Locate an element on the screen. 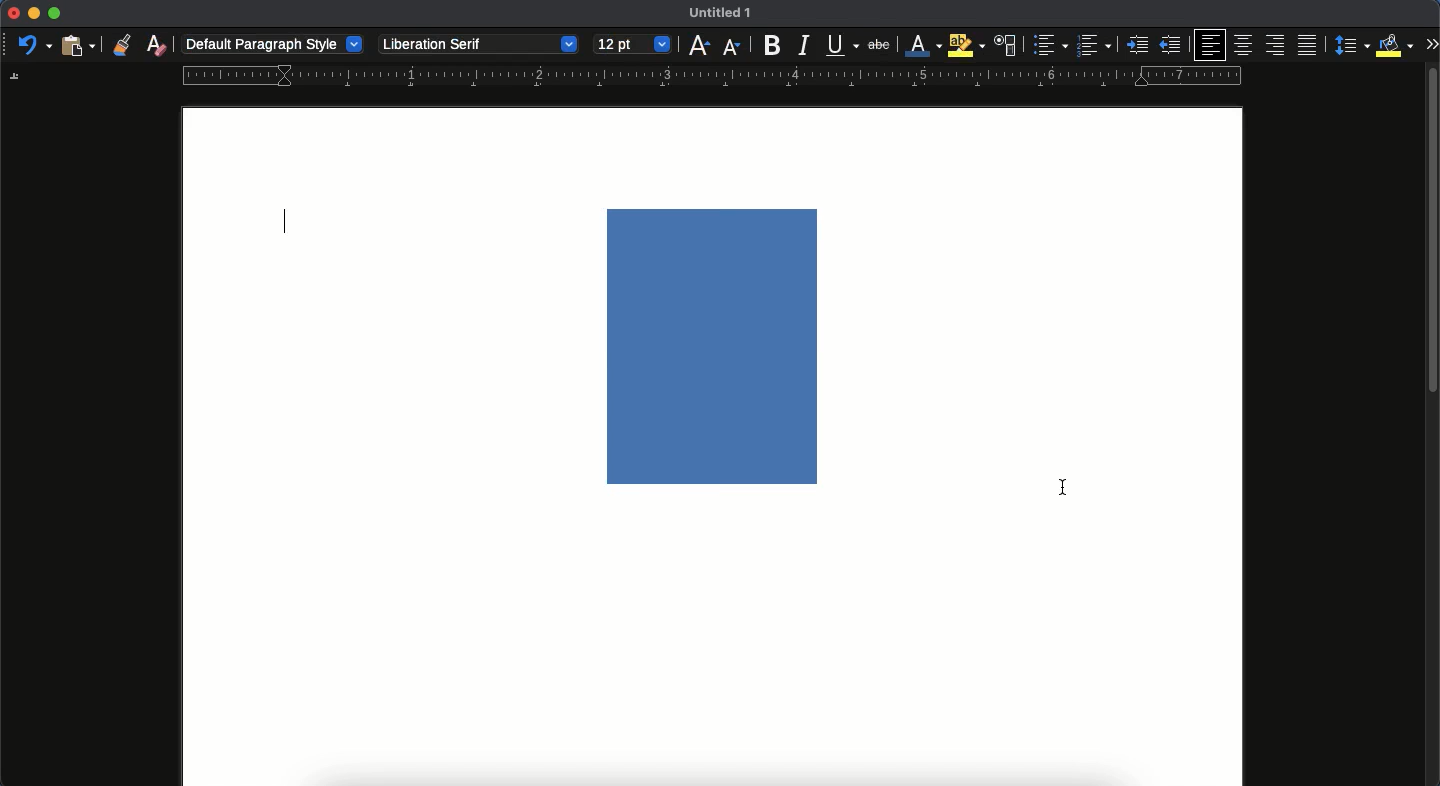 The height and width of the screenshot is (786, 1440). image is located at coordinates (715, 353).